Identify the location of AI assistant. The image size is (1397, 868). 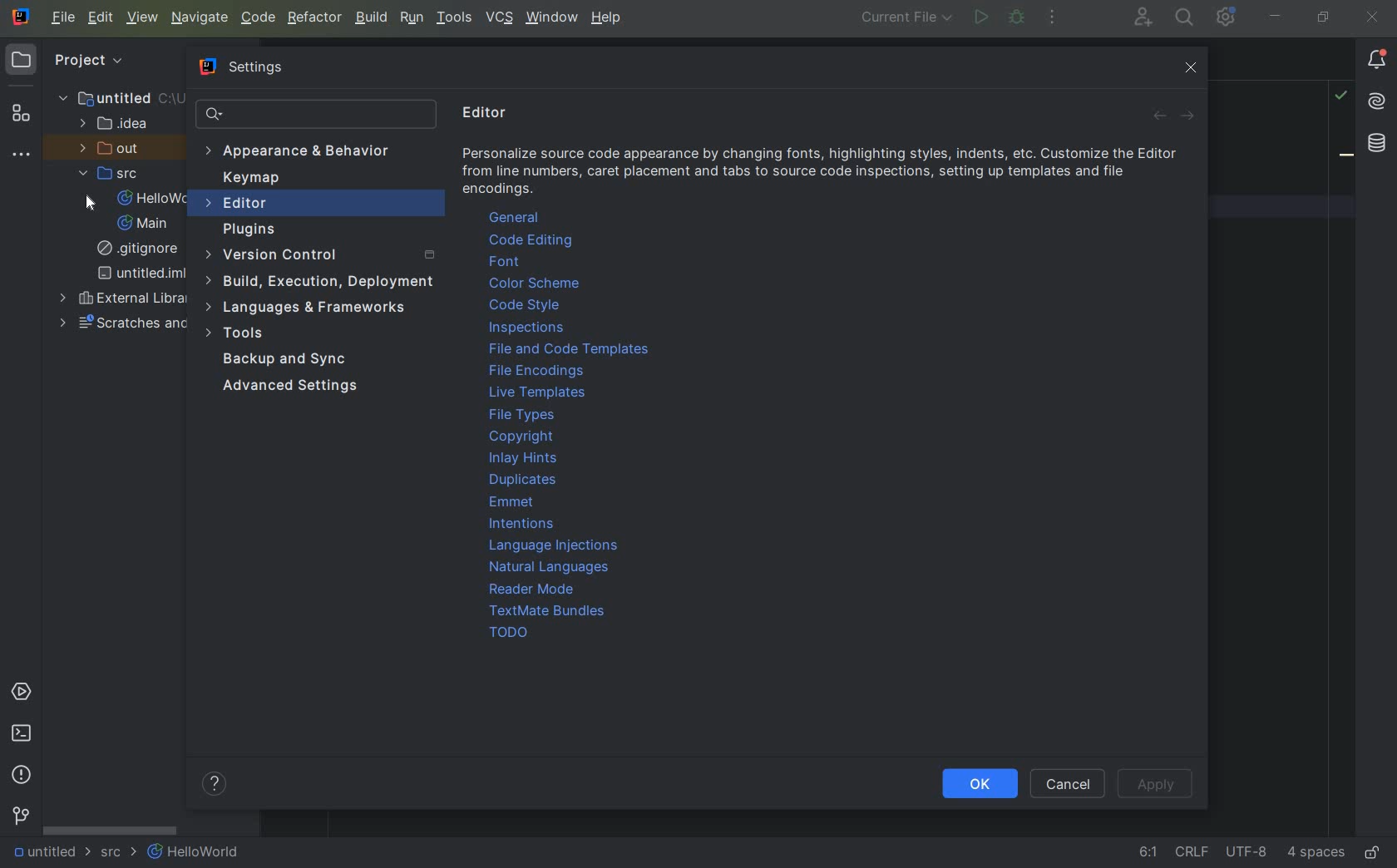
(1375, 102).